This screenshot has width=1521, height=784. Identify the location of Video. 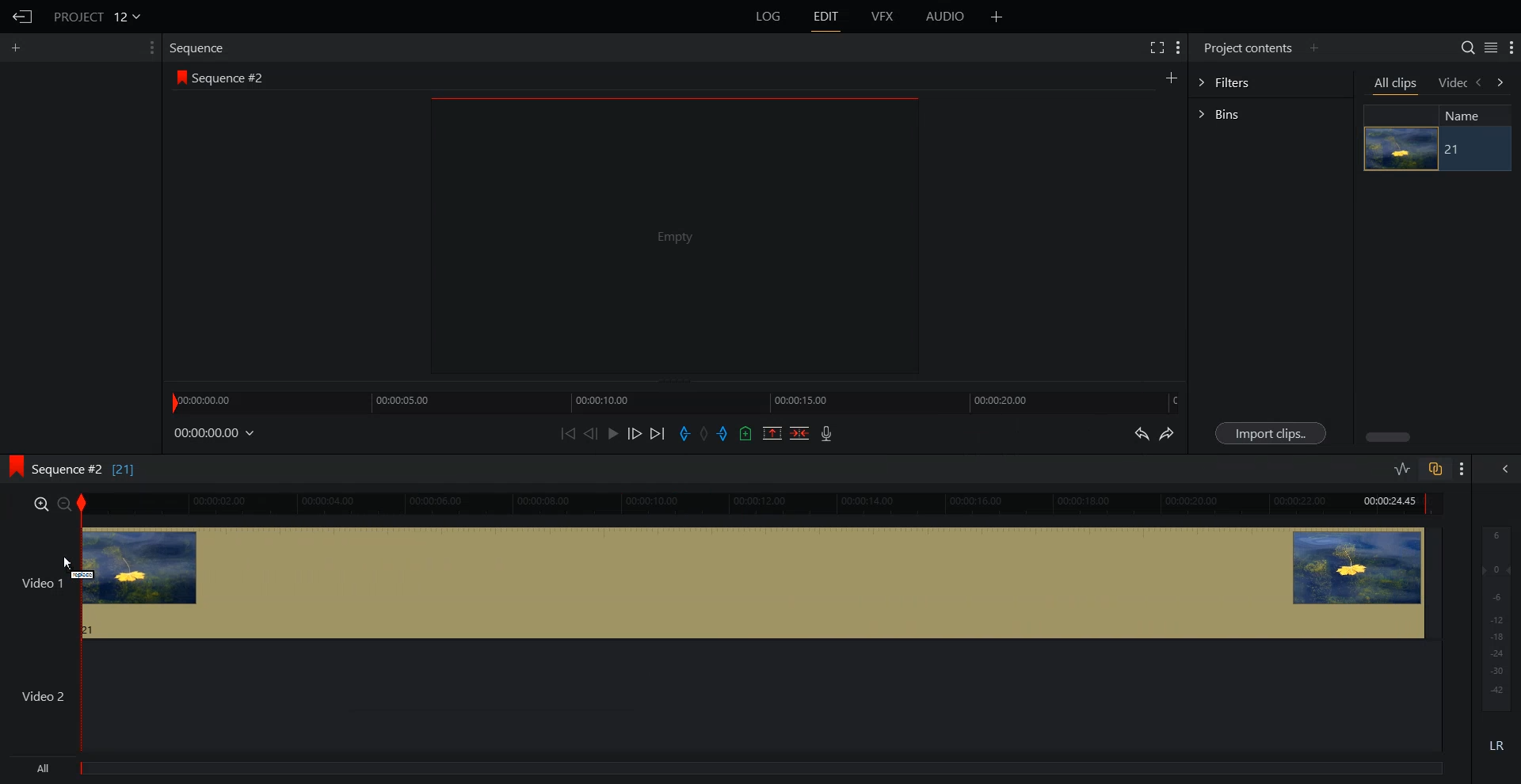
(1452, 83).